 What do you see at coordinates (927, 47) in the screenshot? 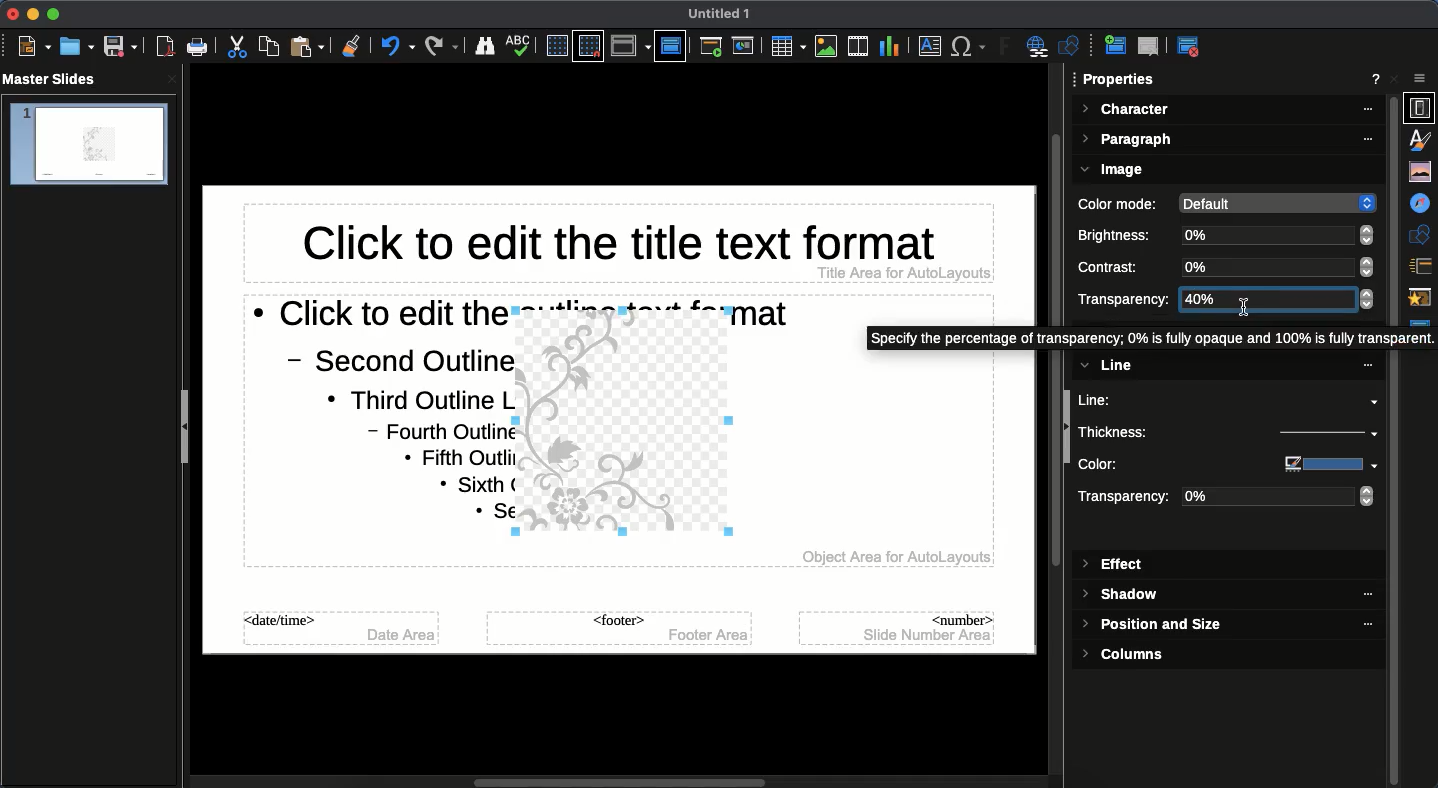
I see `Textbox` at bounding box center [927, 47].